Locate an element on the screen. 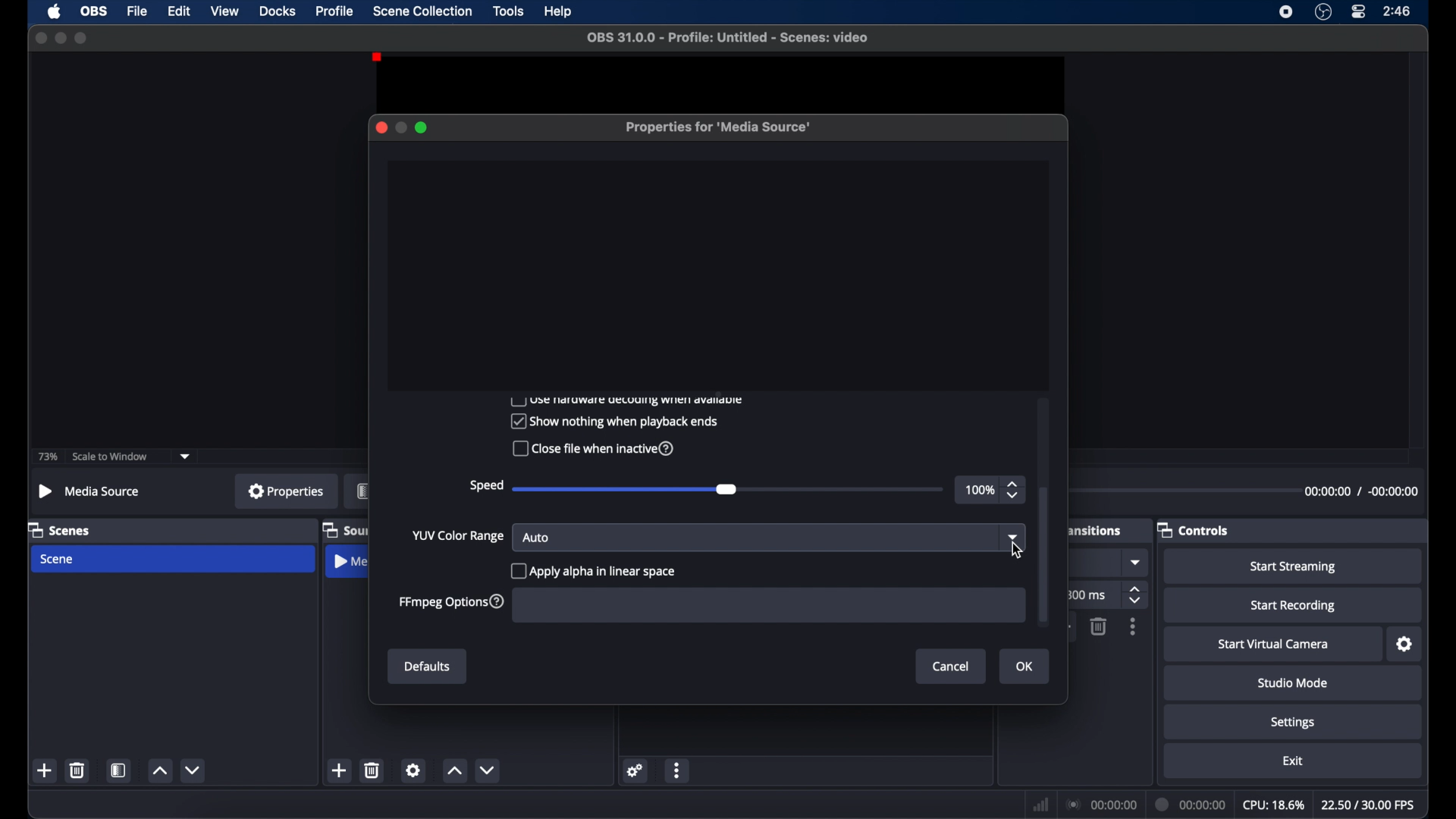 The width and height of the screenshot is (1456, 819). minimize is located at coordinates (400, 127).